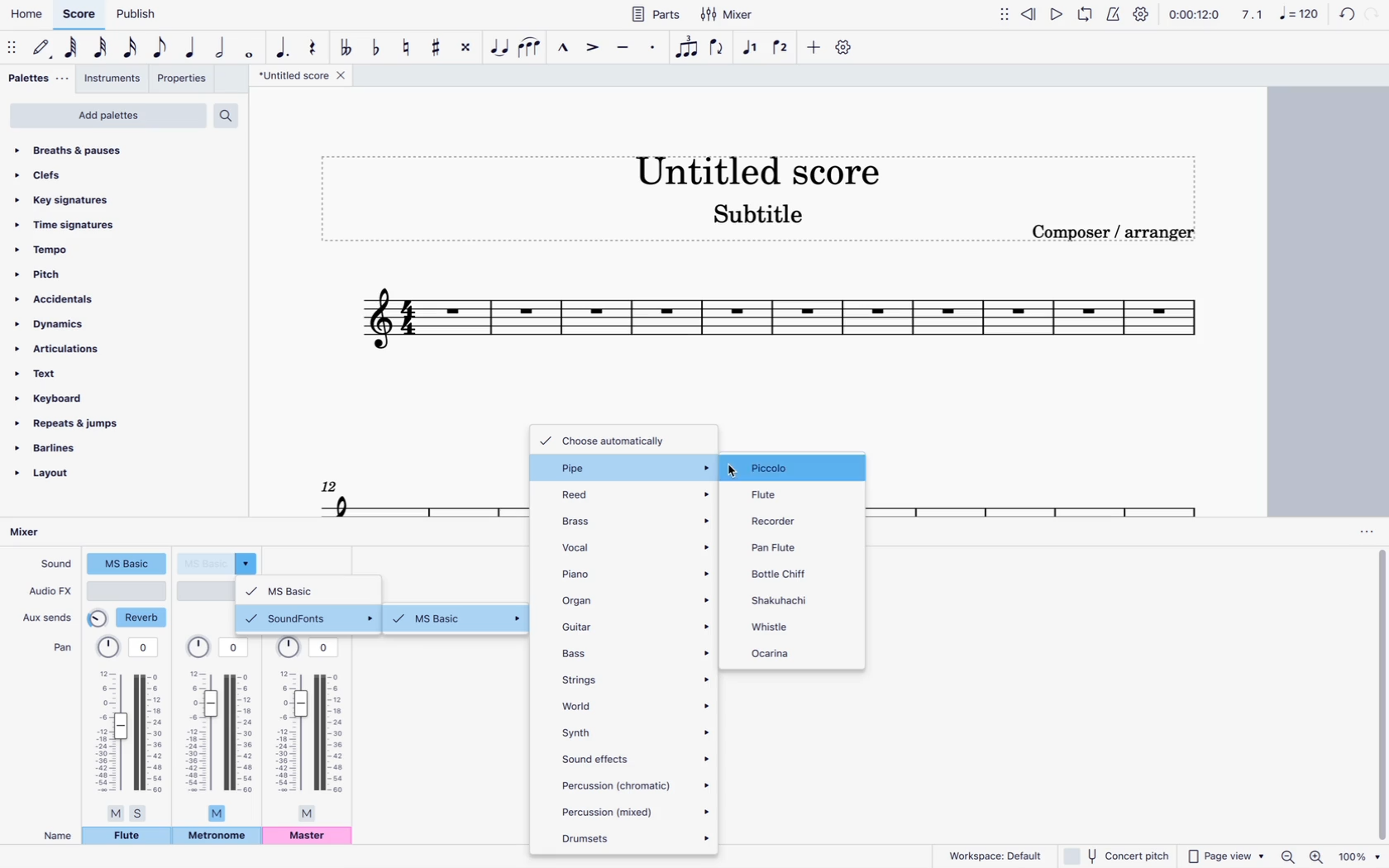 Image resolution: width=1389 pixels, height=868 pixels. What do you see at coordinates (1037, 489) in the screenshot?
I see `score` at bounding box center [1037, 489].